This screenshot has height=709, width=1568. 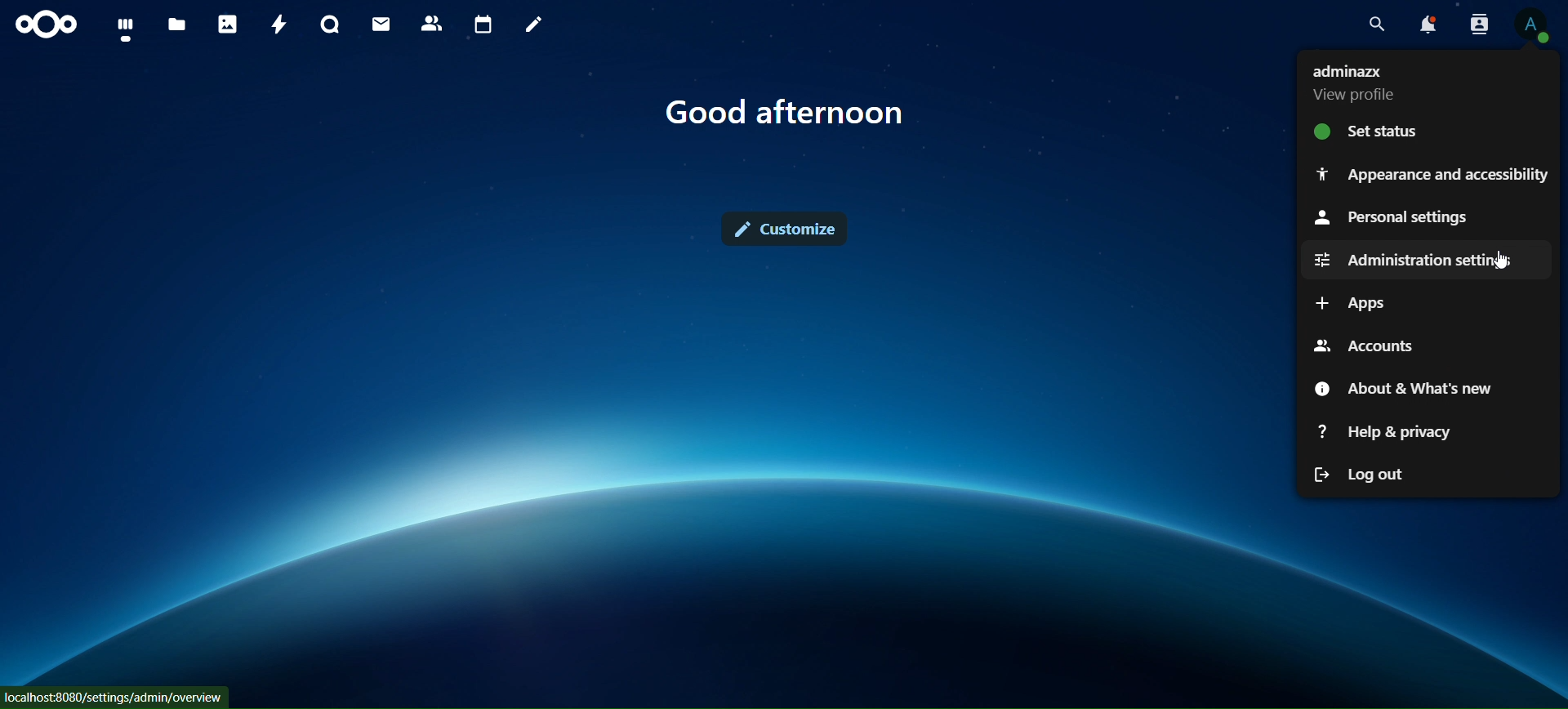 I want to click on administration settings, so click(x=1412, y=256).